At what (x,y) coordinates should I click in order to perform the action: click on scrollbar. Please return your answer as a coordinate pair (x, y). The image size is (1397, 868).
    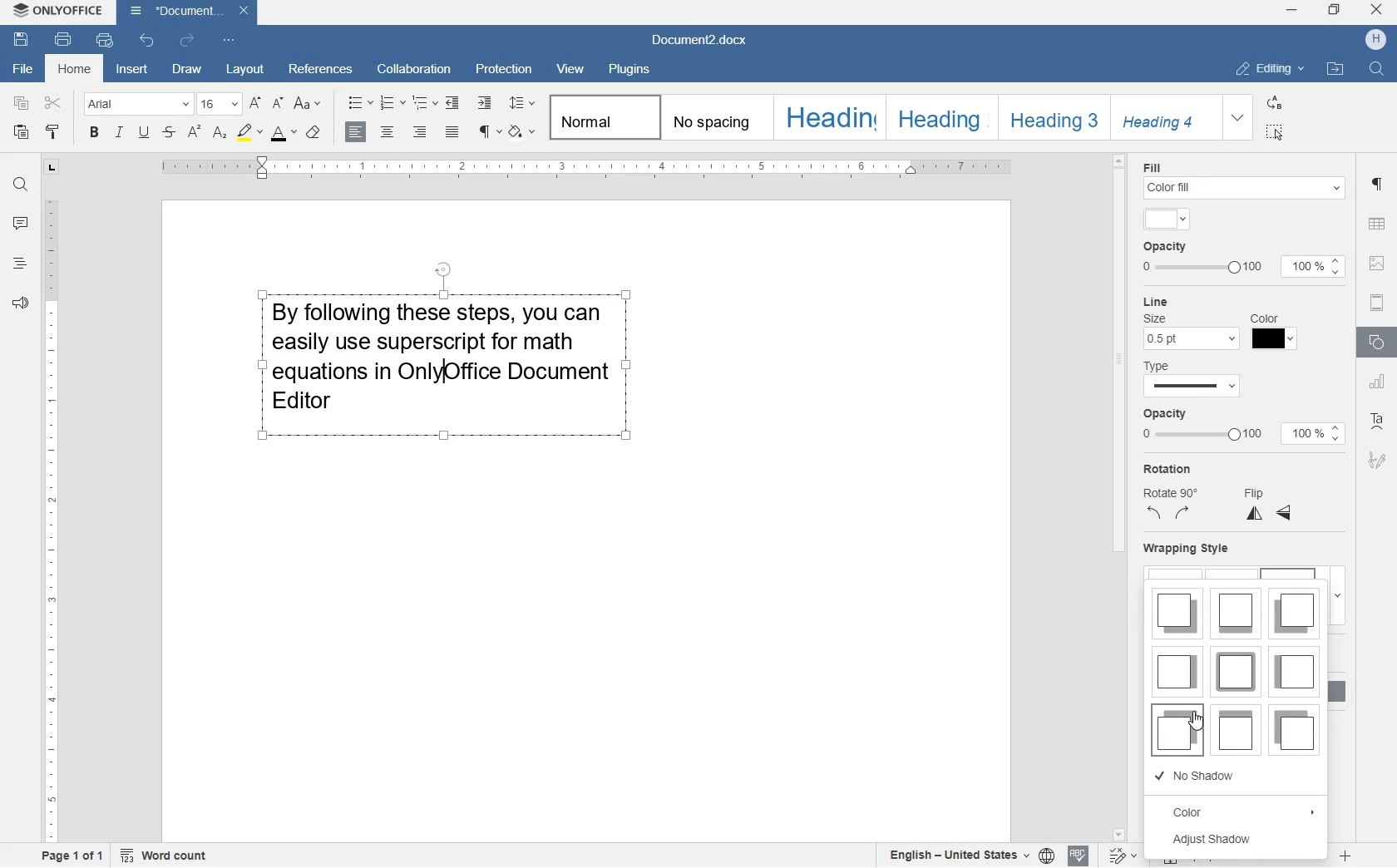
    Looking at the image, I should click on (1121, 496).